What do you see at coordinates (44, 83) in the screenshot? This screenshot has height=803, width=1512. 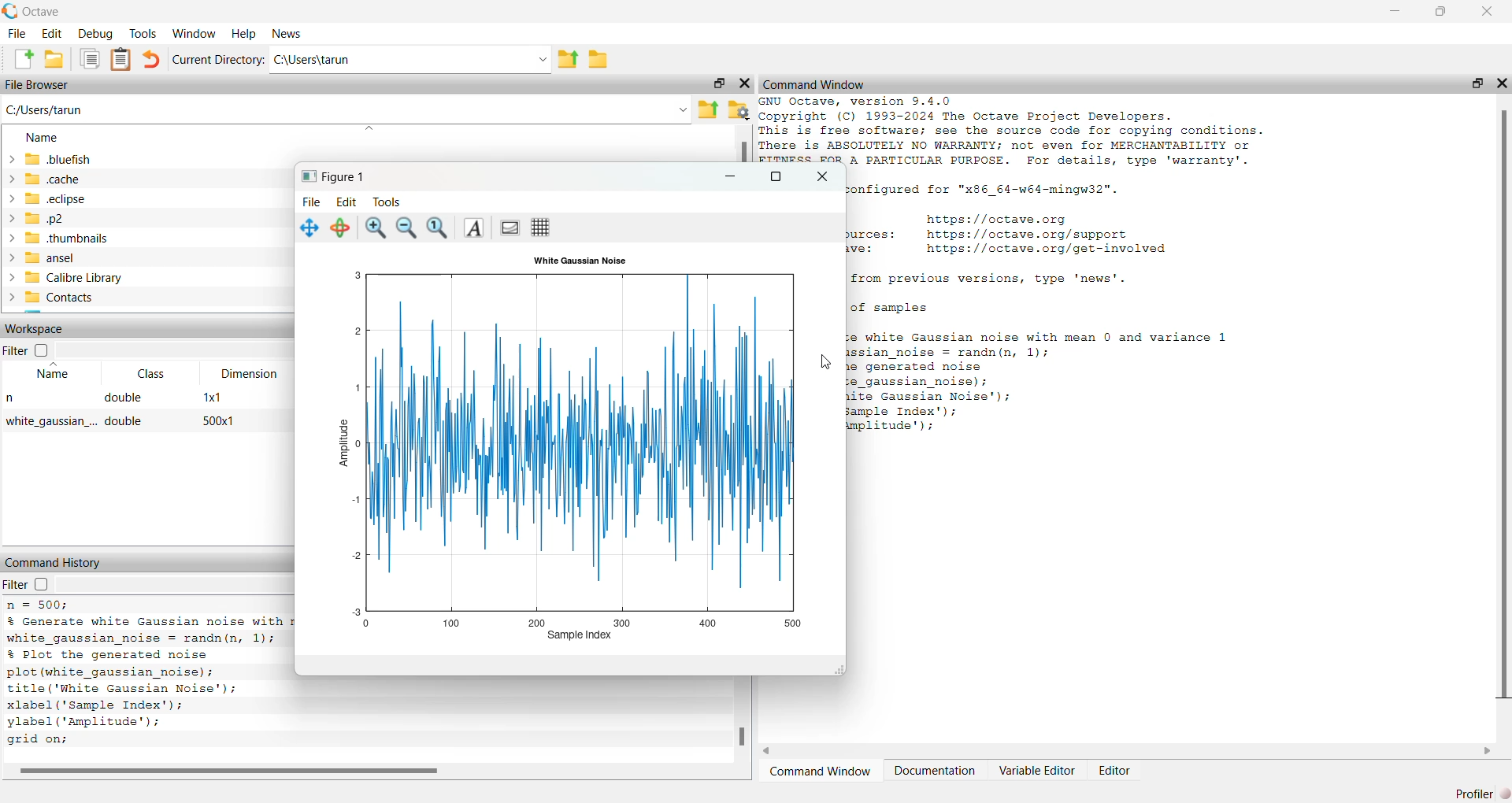 I see `File Browser` at bounding box center [44, 83].